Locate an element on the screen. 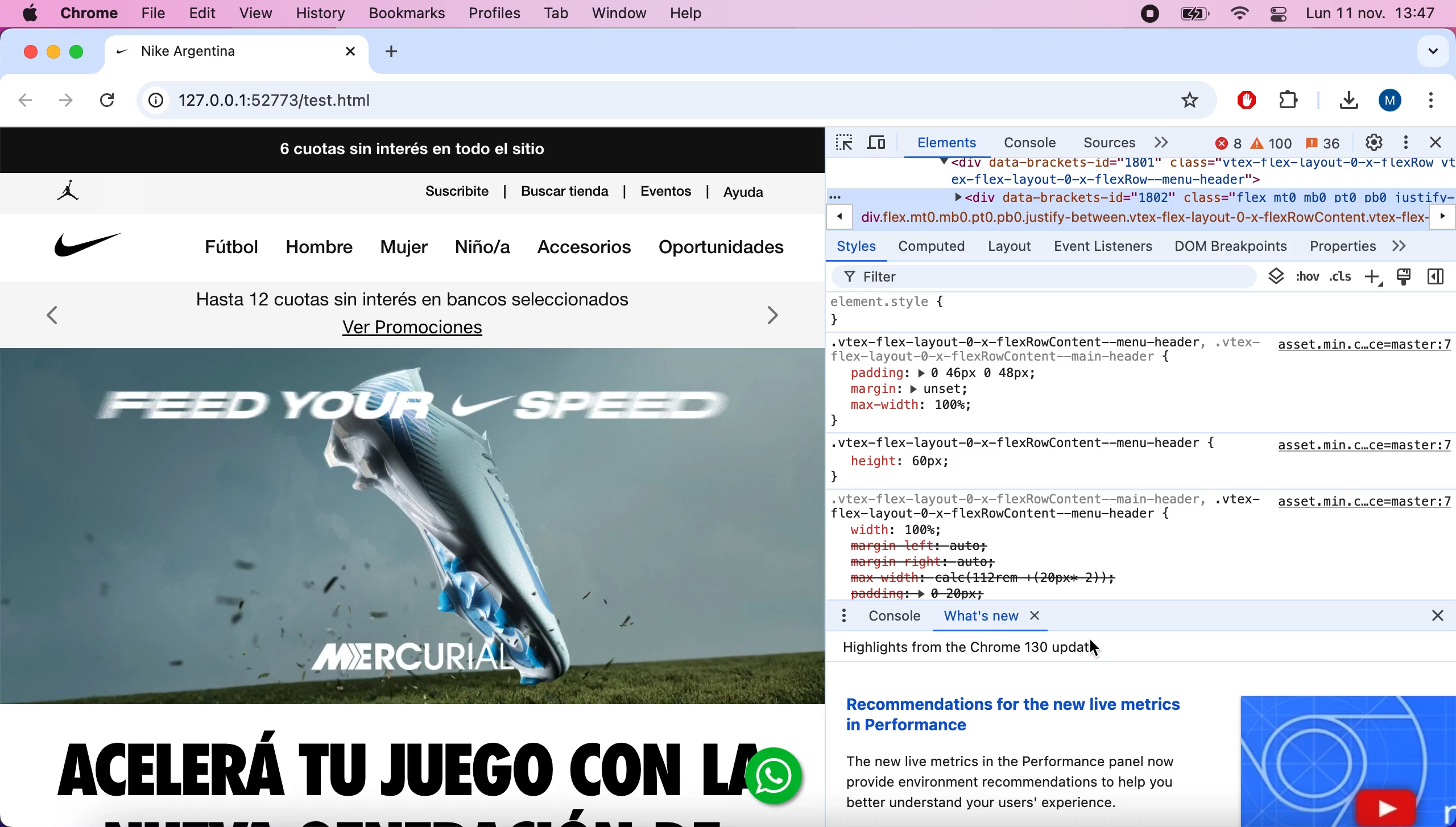 Image resolution: width=1456 pixels, height=827 pixels. Ayuda is located at coordinates (750, 195).